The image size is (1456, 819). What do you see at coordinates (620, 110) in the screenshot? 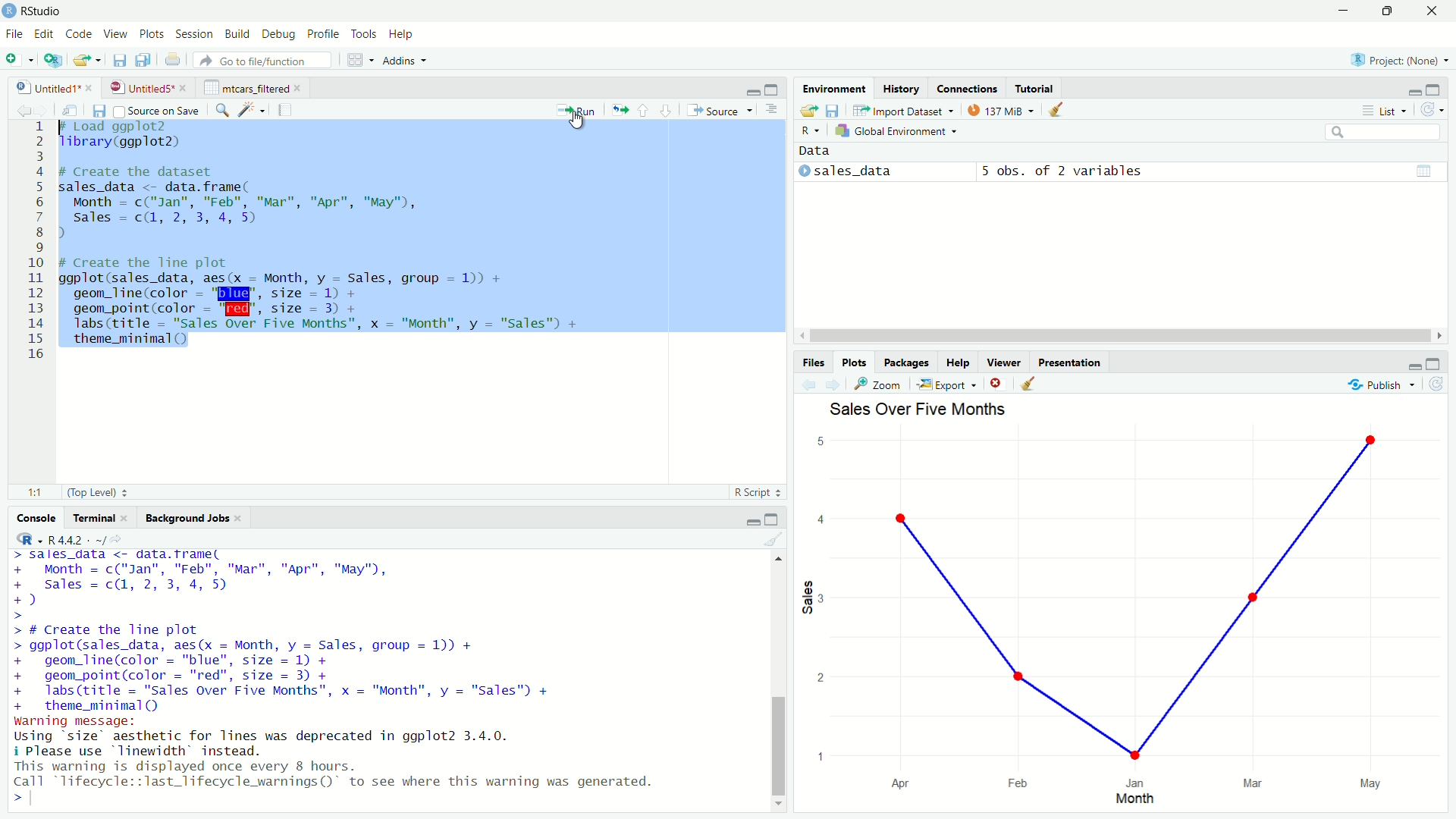
I see `re-run the previous section` at bounding box center [620, 110].